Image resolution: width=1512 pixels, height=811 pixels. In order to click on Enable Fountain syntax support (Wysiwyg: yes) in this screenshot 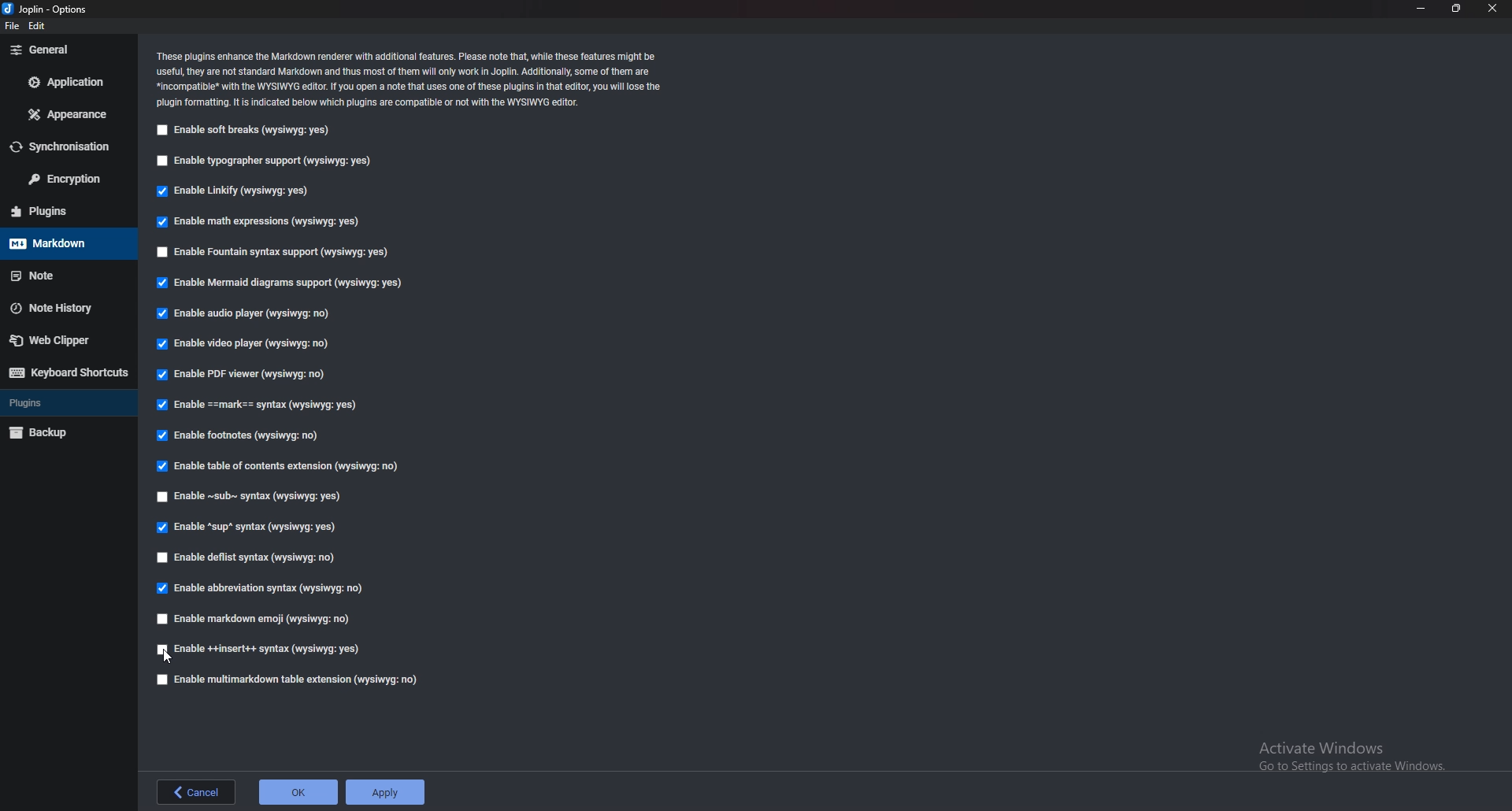, I will do `click(275, 251)`.